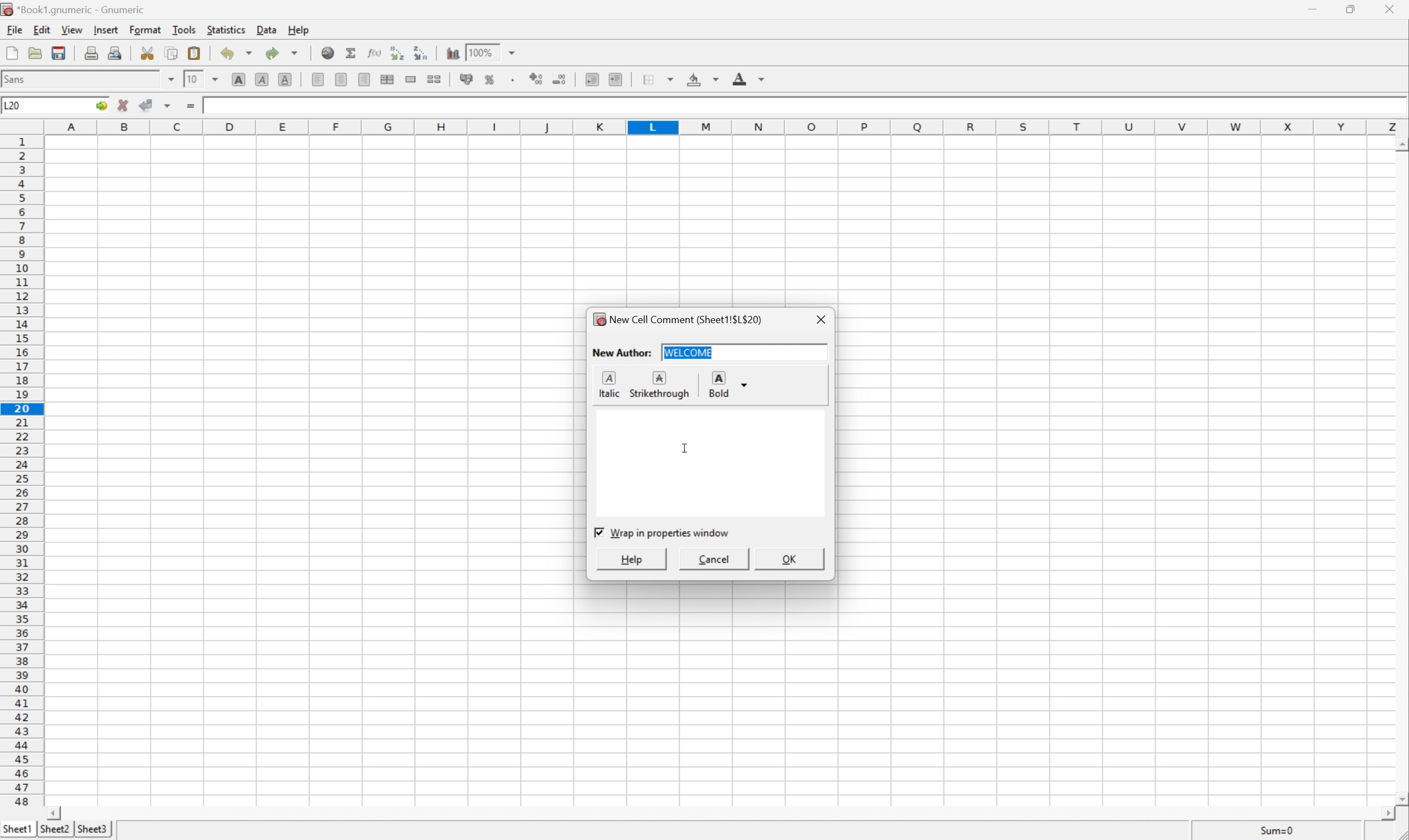  What do you see at coordinates (170, 78) in the screenshot?
I see `Drop Down` at bounding box center [170, 78].